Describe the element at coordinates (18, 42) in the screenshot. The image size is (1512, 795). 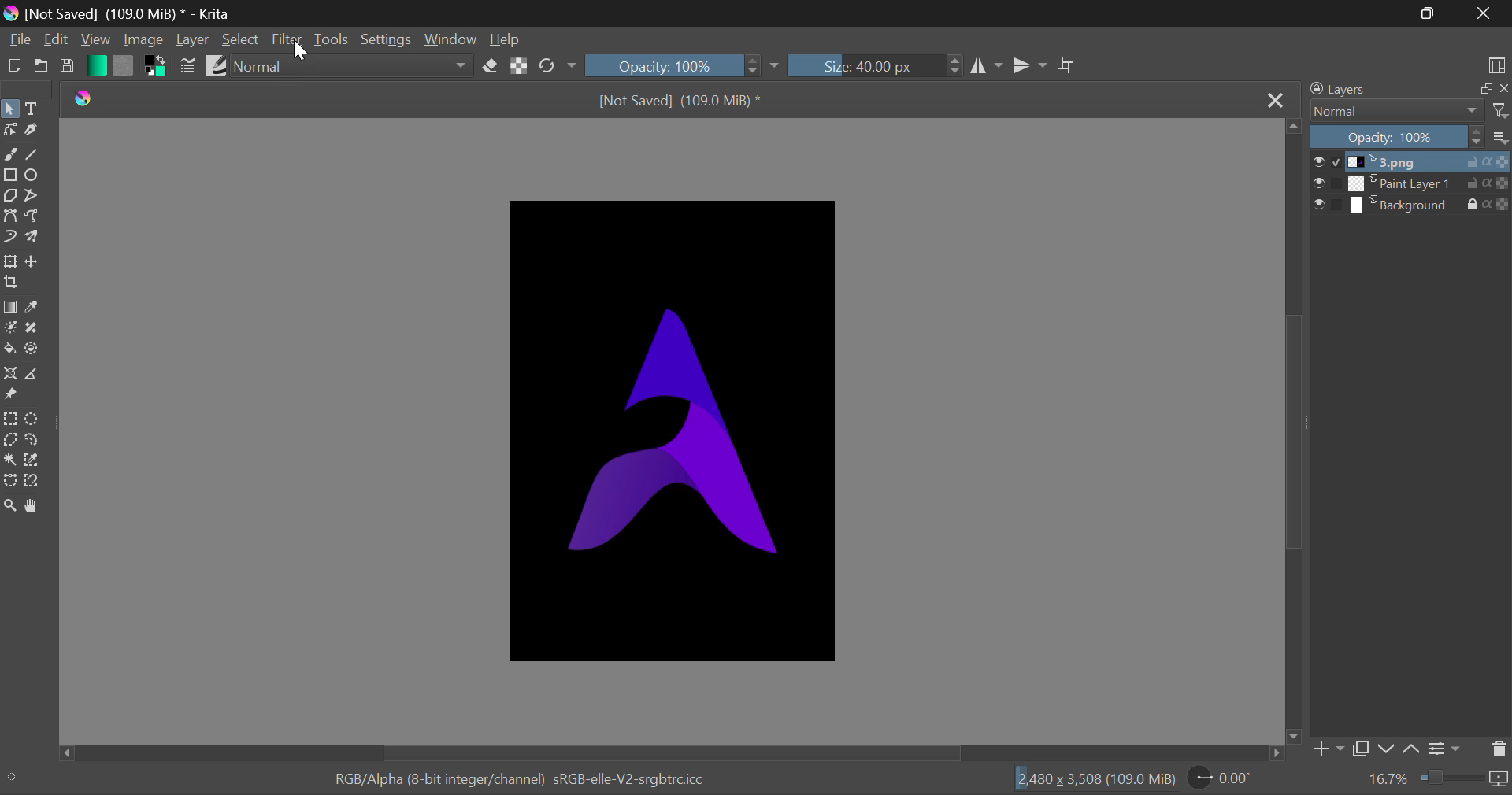
I see `File` at that location.